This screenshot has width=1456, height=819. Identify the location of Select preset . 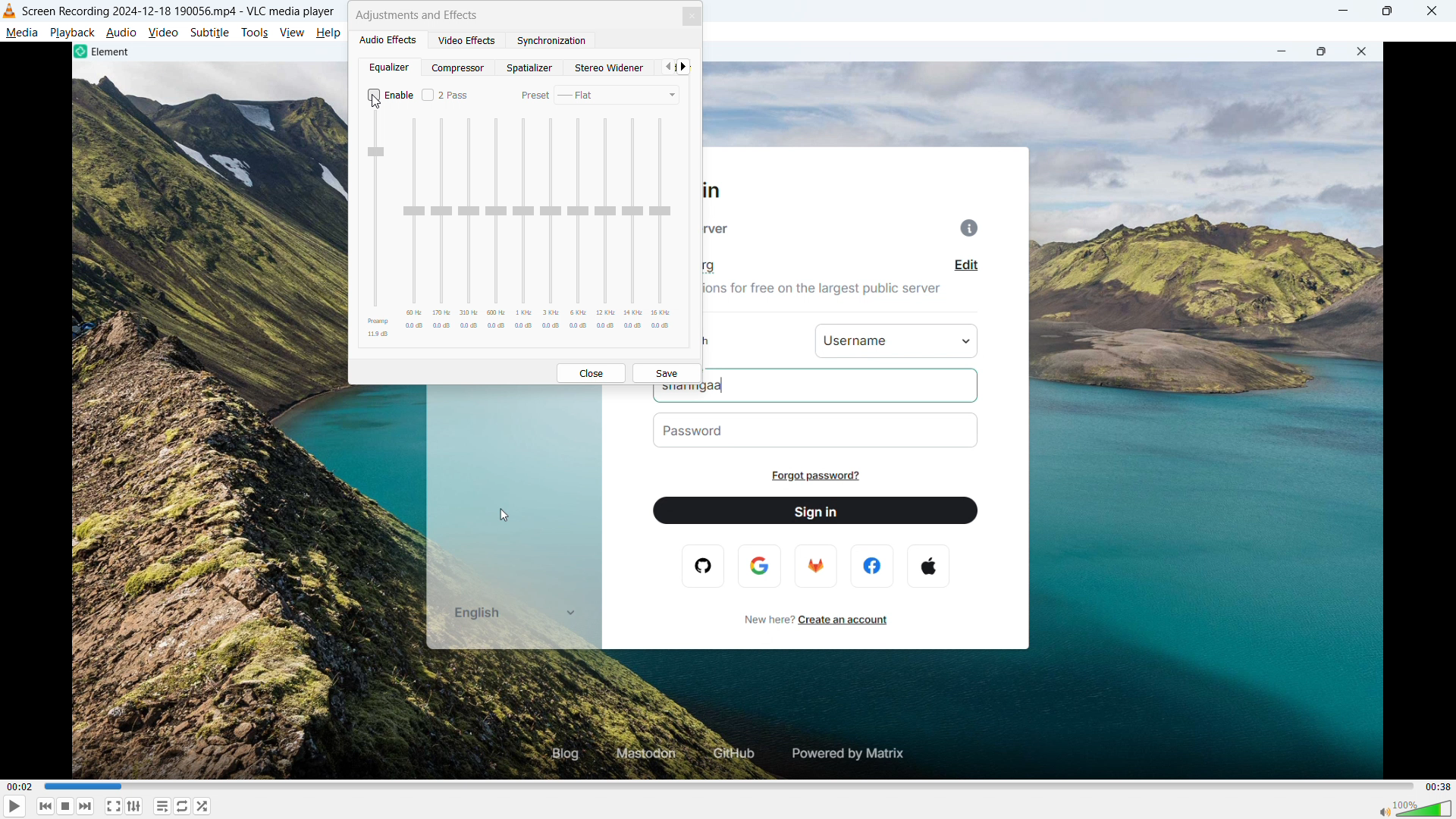
(617, 95).